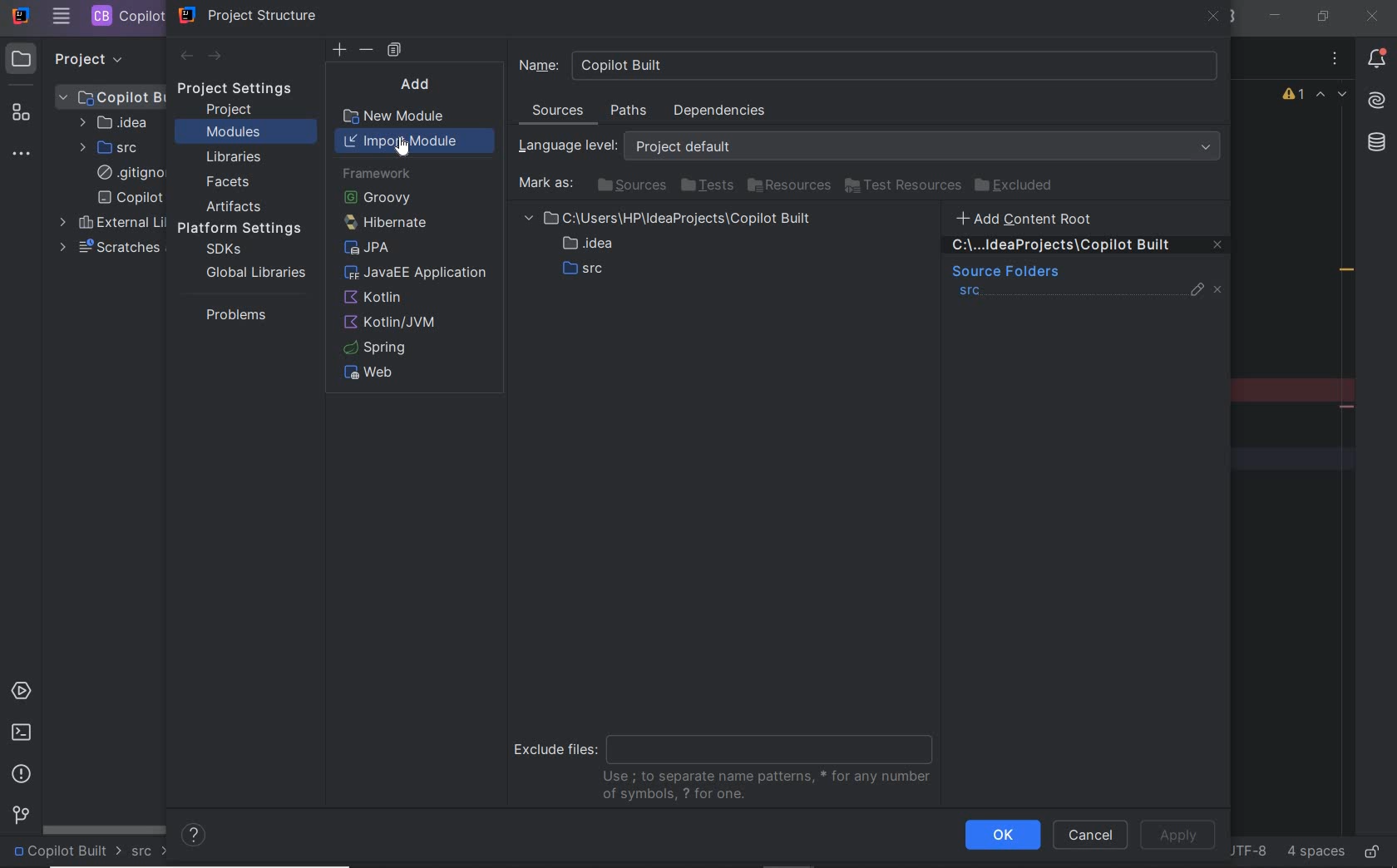 The width and height of the screenshot is (1397, 868). I want to click on hibernate, so click(383, 222).